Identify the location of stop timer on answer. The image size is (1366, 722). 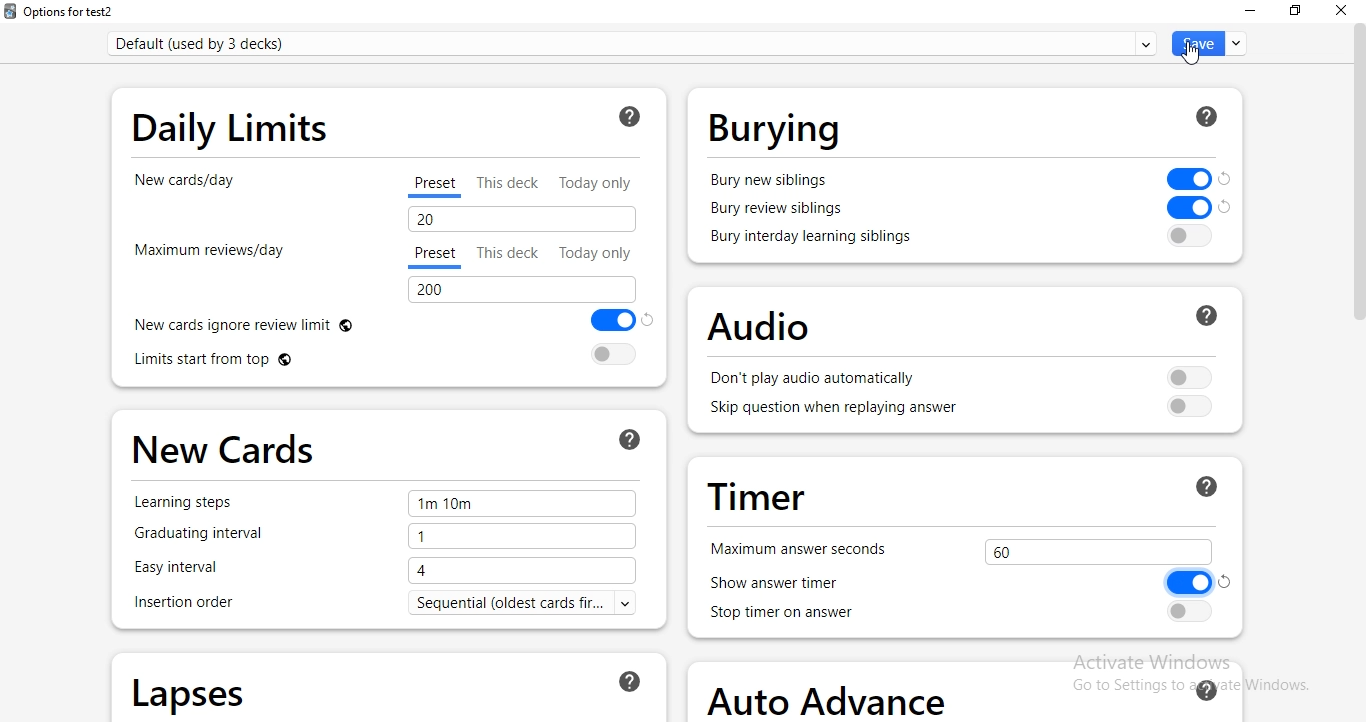
(957, 614).